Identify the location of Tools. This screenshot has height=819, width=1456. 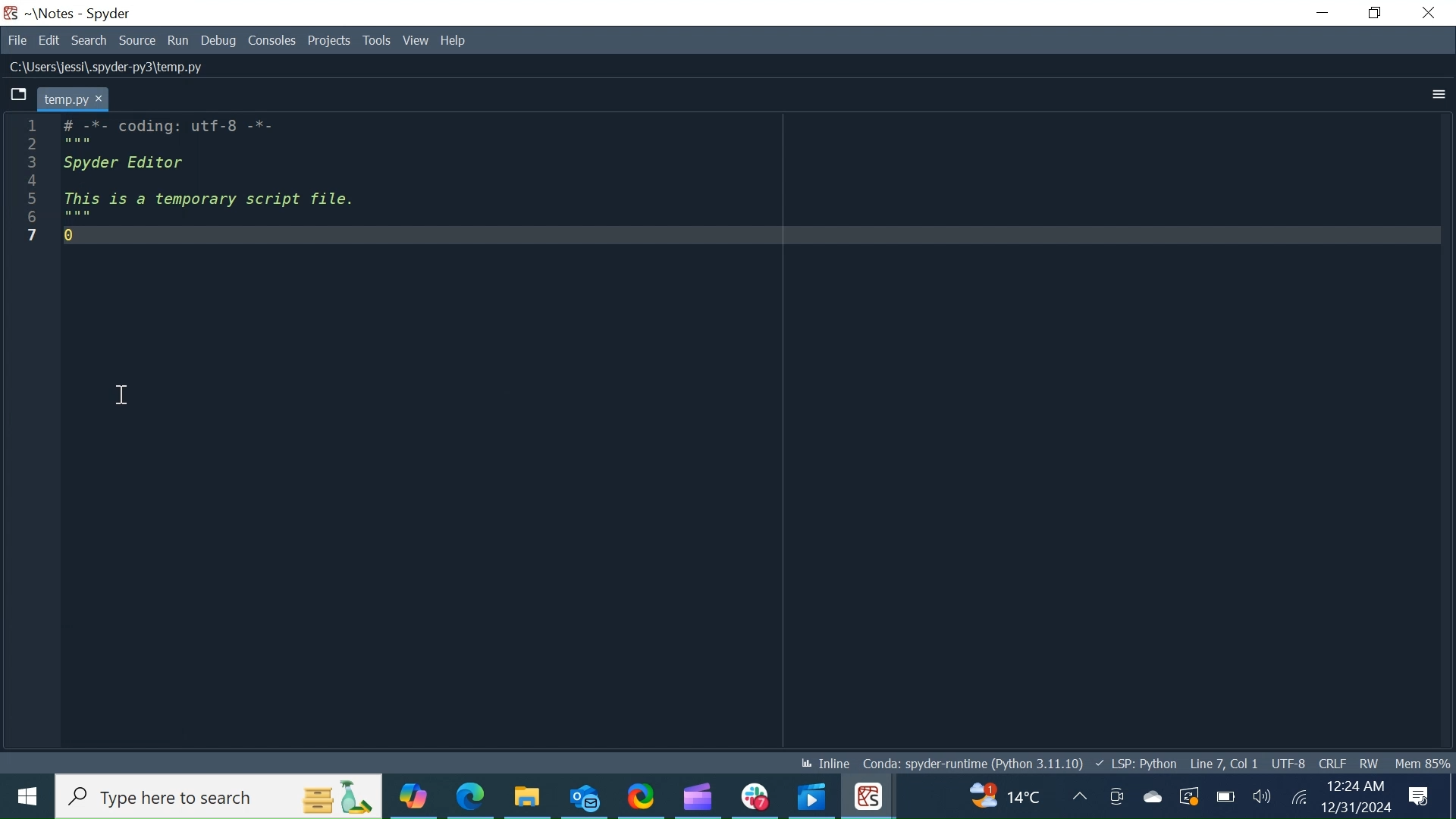
(378, 42).